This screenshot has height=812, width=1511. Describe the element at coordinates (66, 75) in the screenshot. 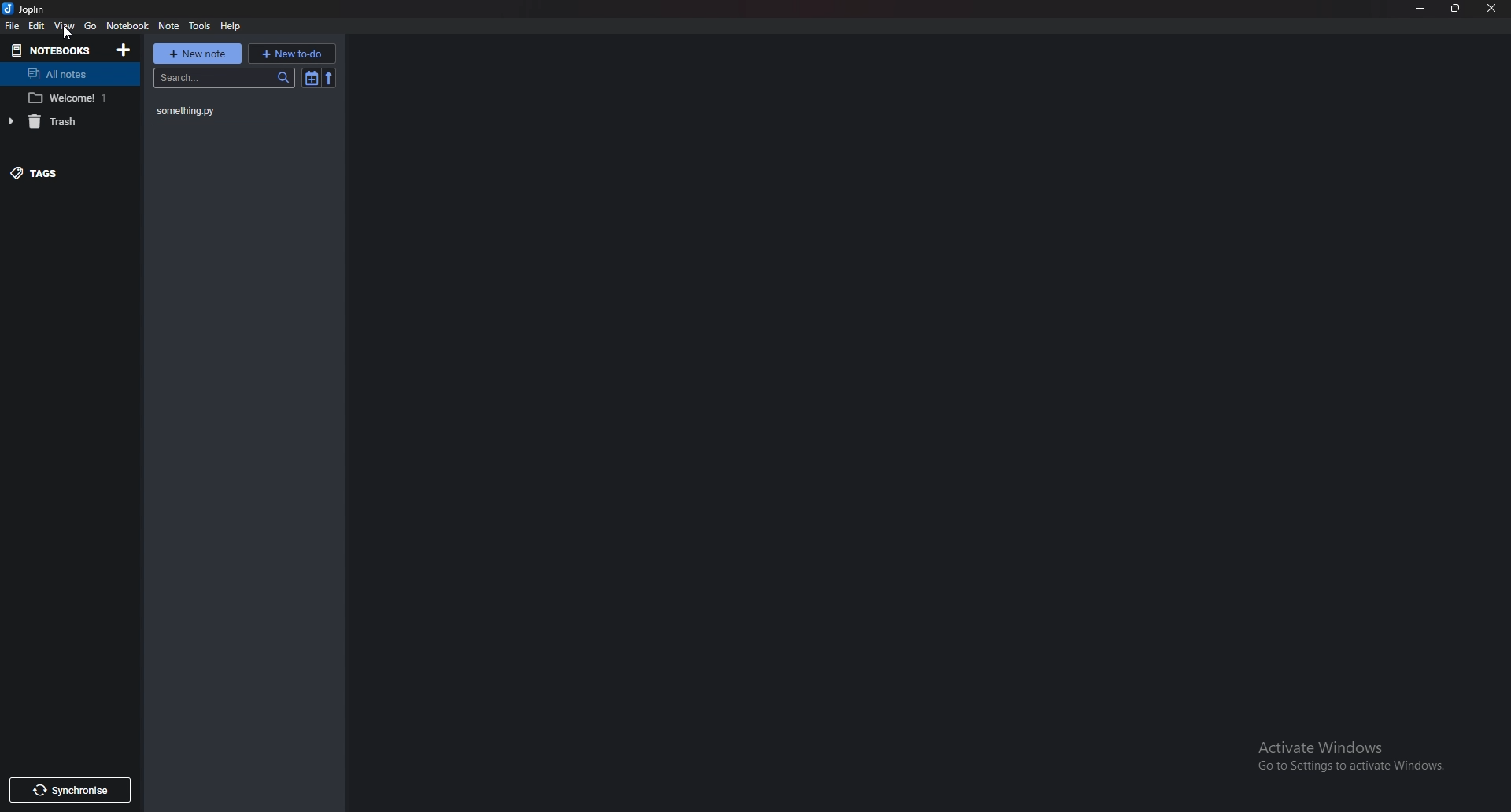

I see `All notes` at that location.